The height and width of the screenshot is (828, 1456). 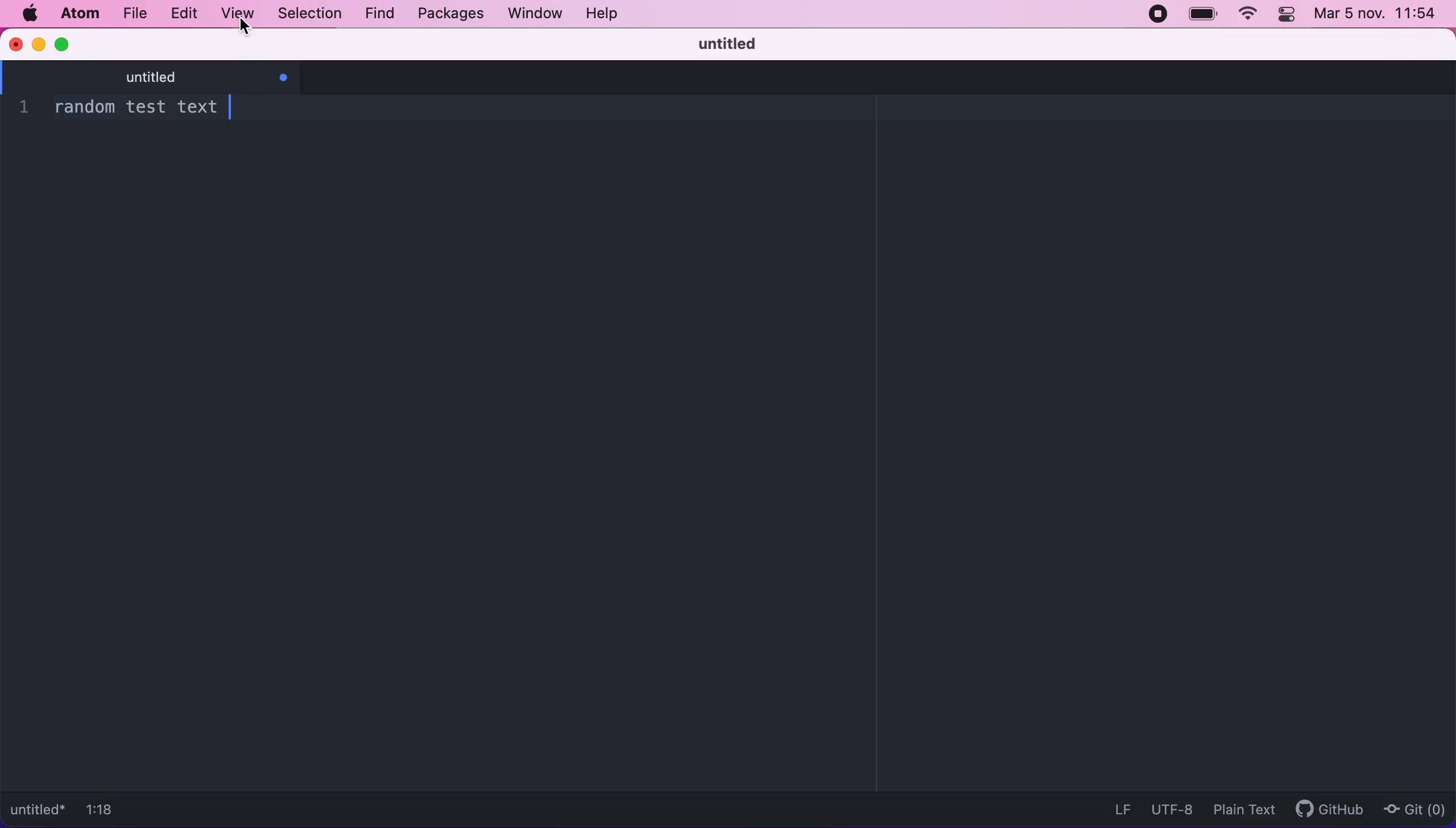 I want to click on plain text, so click(x=1240, y=809).